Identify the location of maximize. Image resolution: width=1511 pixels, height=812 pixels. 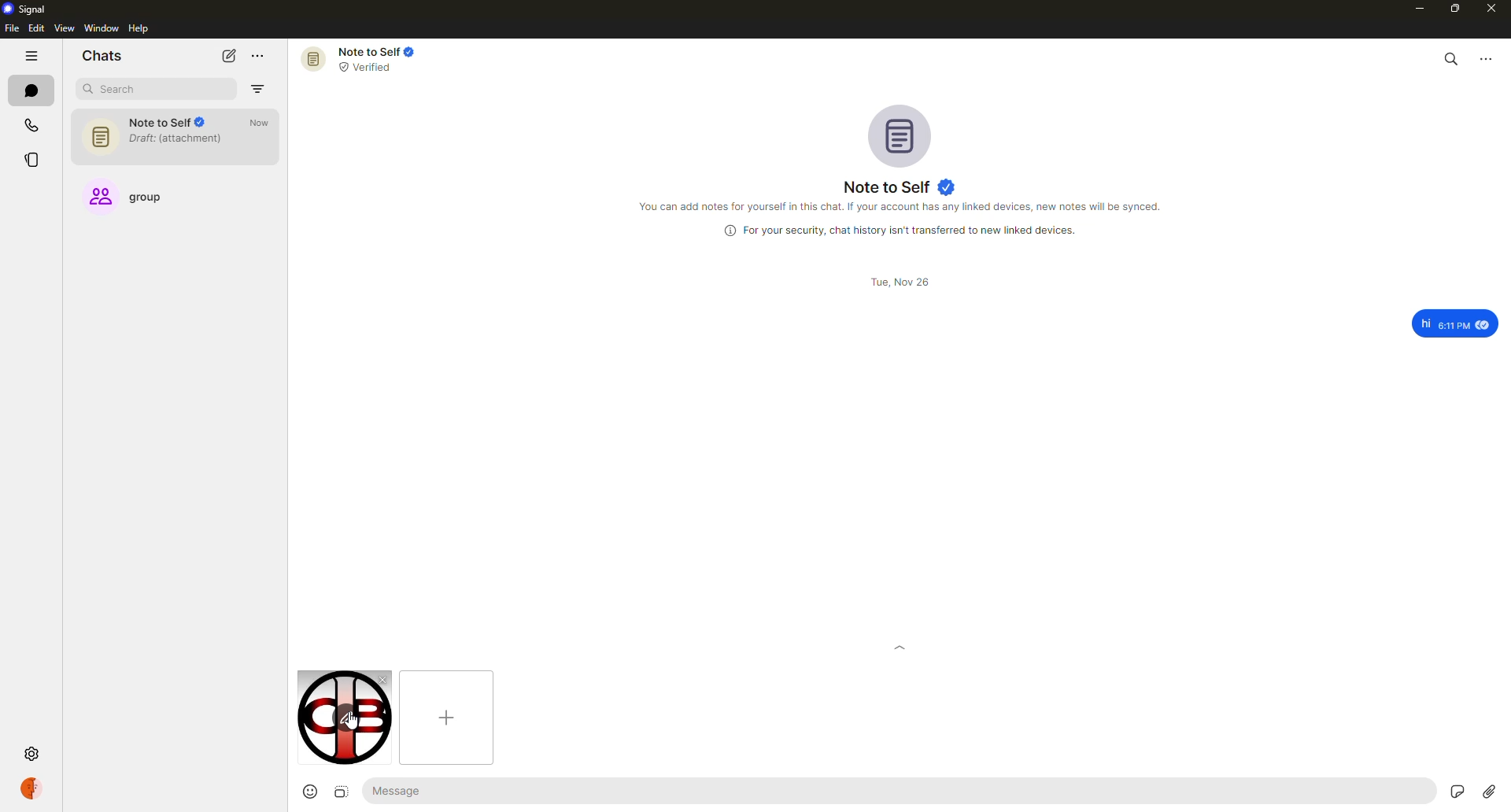
(1453, 12).